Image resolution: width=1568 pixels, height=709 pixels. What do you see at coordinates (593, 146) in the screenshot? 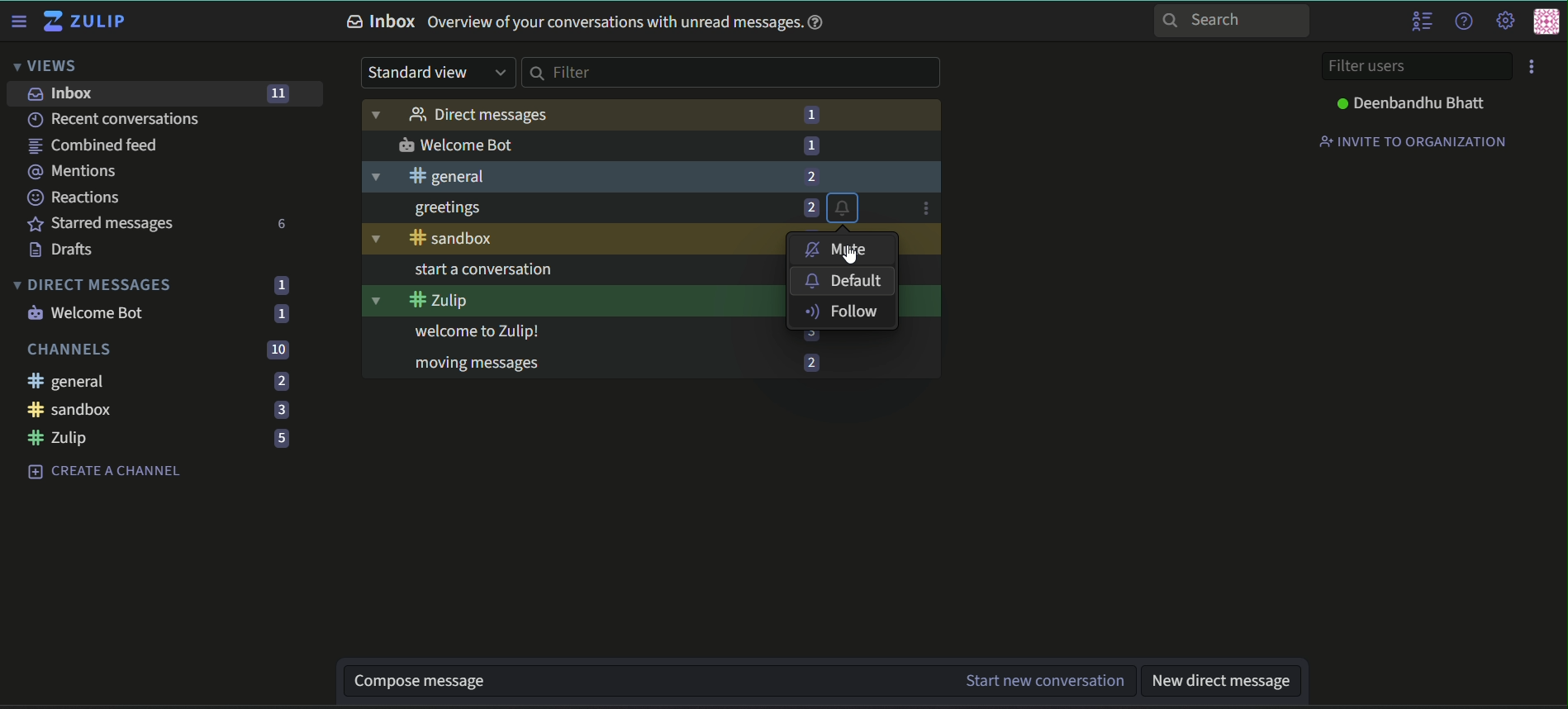
I see `welcomeBot` at bounding box center [593, 146].